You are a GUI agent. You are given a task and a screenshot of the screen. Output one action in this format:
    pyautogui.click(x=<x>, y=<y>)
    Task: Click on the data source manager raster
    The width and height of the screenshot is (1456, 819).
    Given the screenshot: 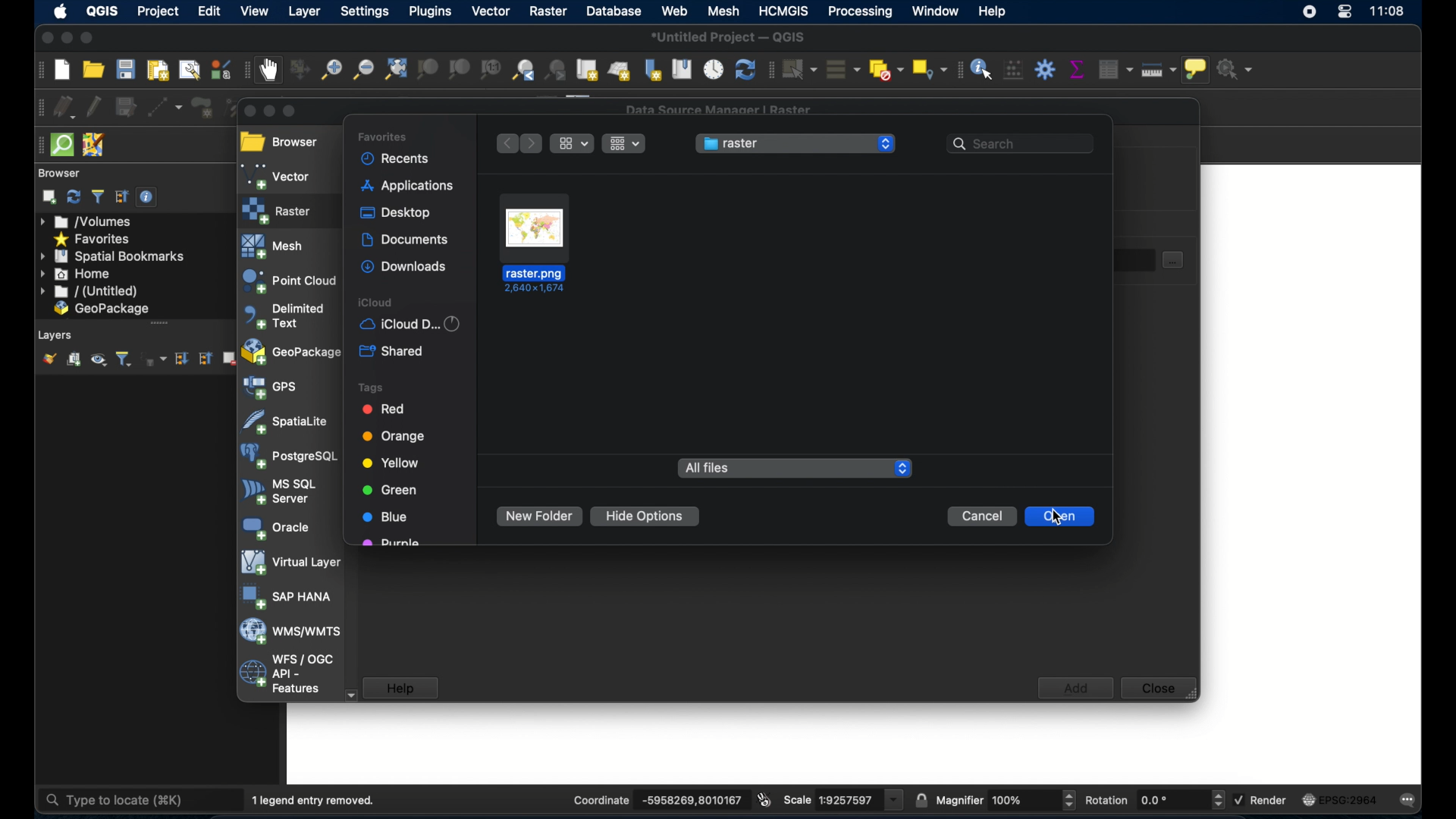 What is the action you would take?
    pyautogui.click(x=720, y=111)
    